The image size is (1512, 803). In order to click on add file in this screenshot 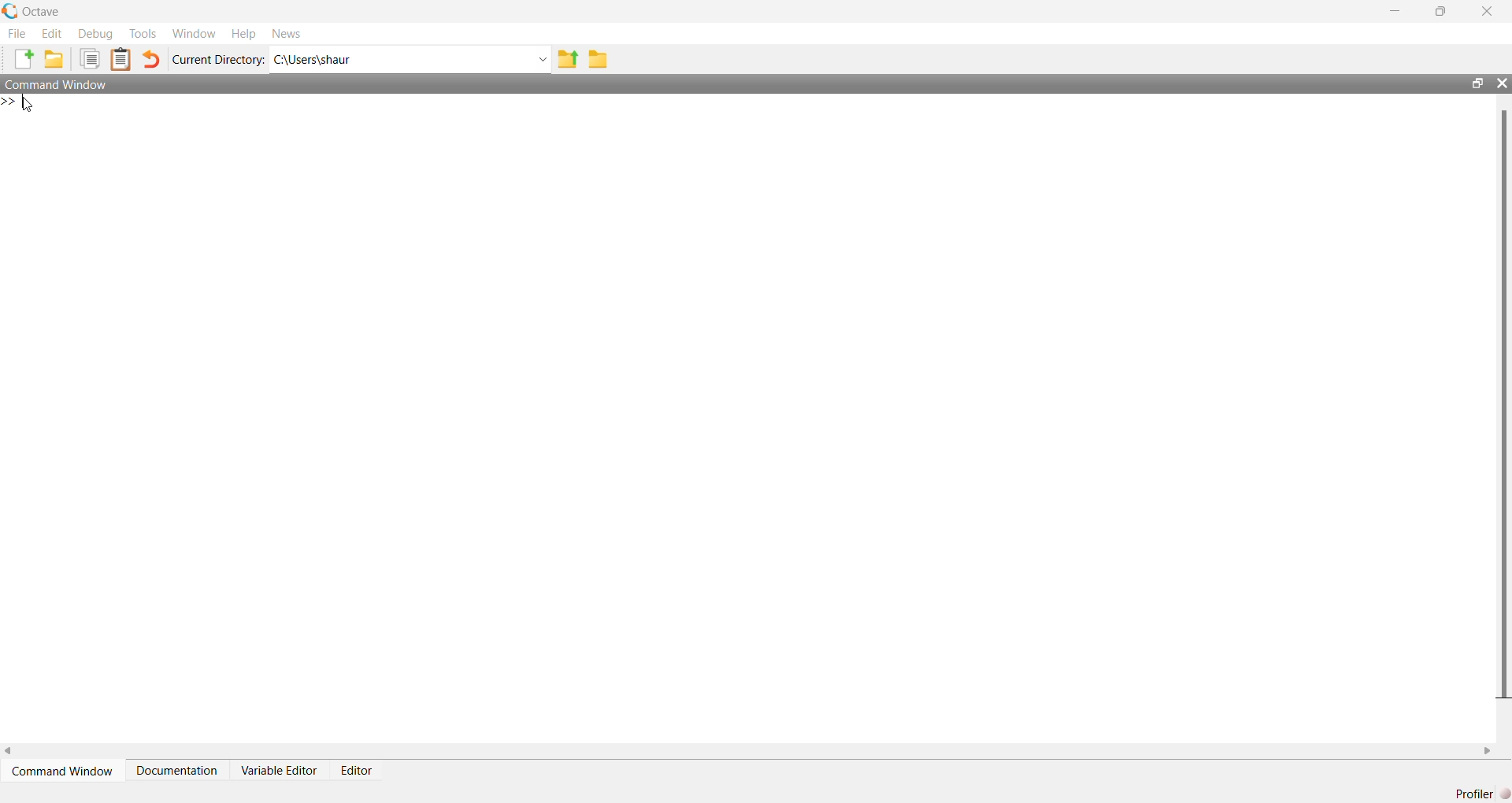, I will do `click(24, 58)`.